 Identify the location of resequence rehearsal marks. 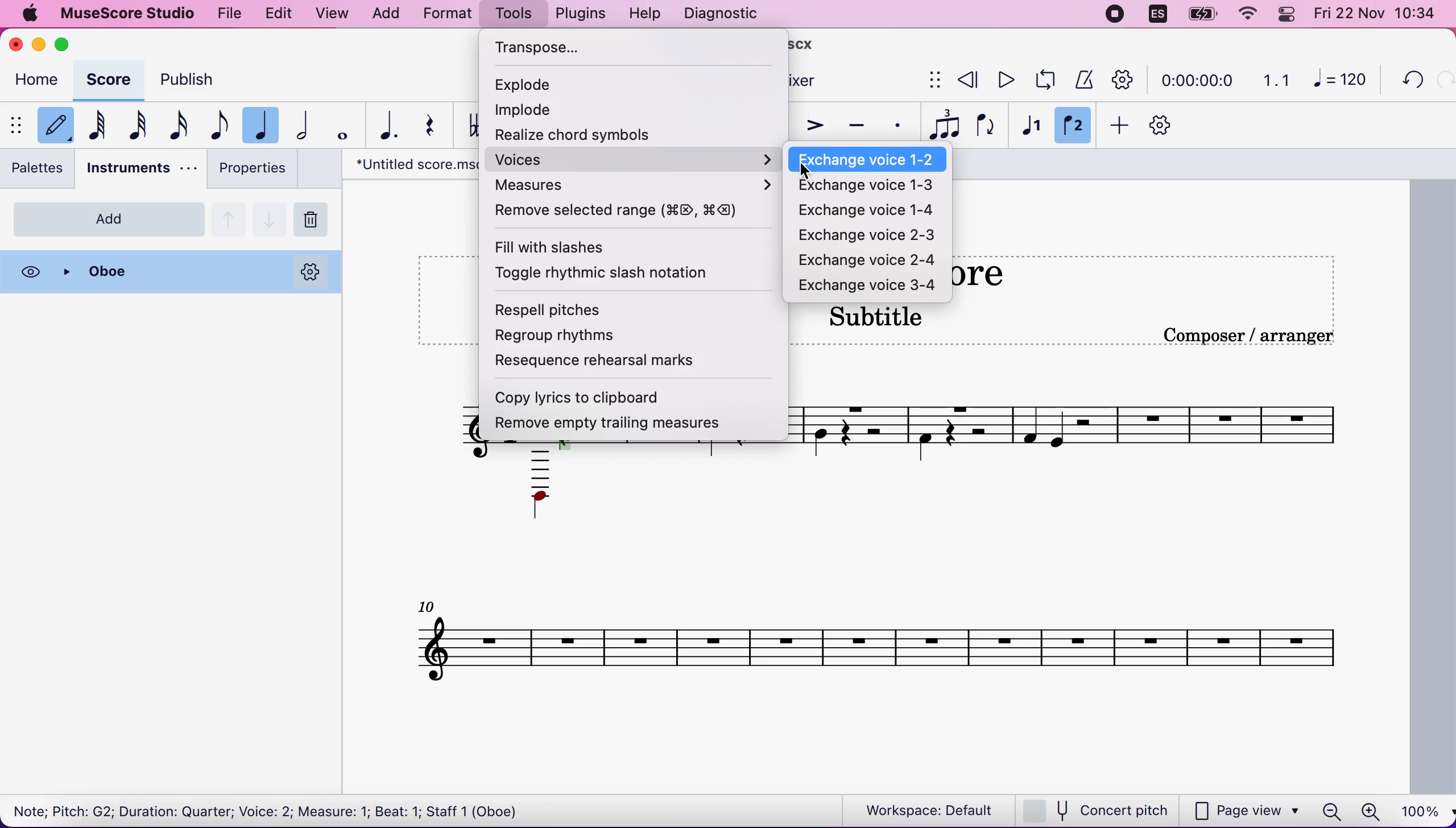
(606, 363).